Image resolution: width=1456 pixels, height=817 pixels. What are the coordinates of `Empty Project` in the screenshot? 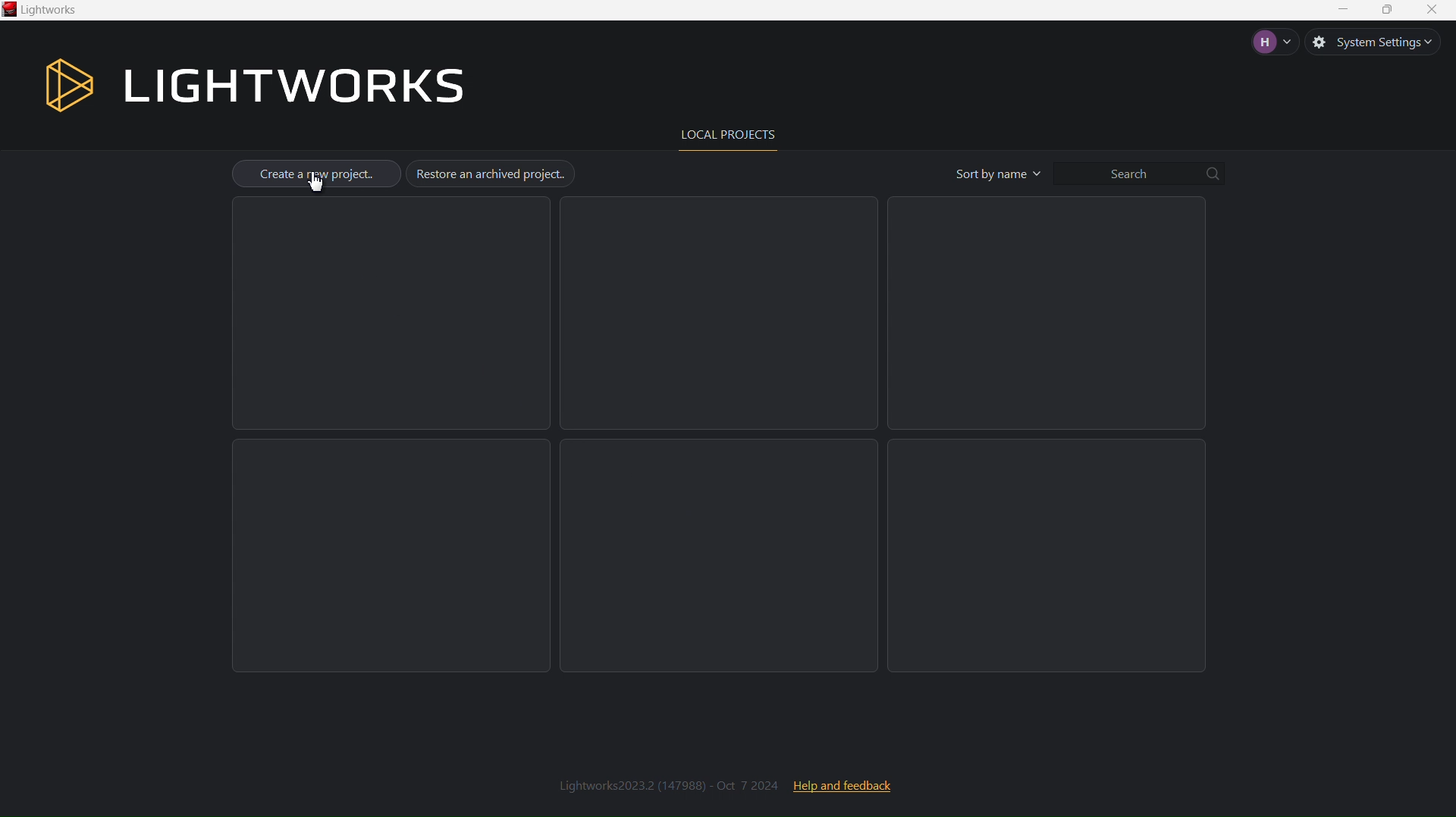 It's located at (721, 556).